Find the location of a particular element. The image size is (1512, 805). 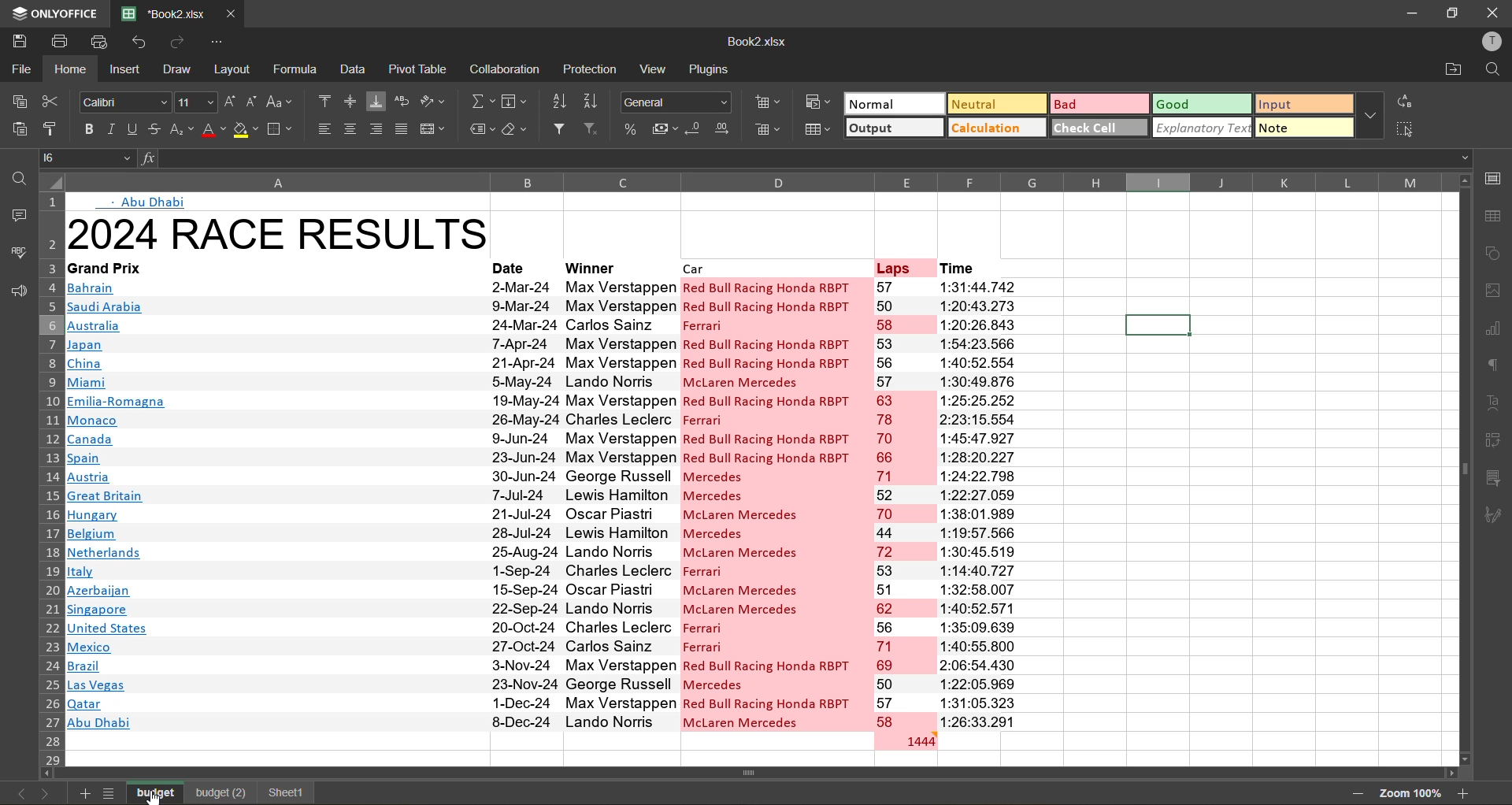

sheet names is located at coordinates (157, 791).